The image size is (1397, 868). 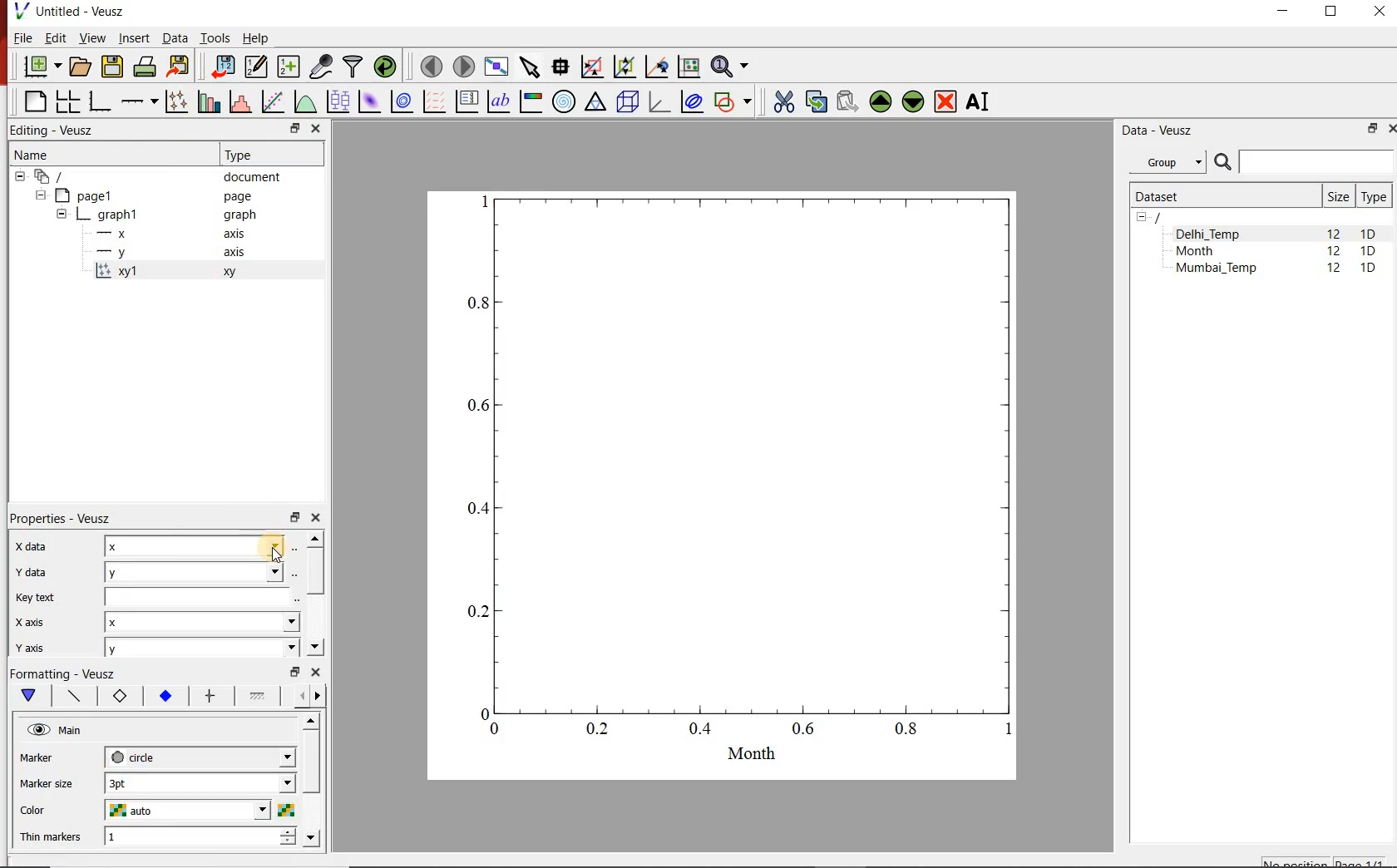 What do you see at coordinates (464, 67) in the screenshot?
I see `move to the next page` at bounding box center [464, 67].